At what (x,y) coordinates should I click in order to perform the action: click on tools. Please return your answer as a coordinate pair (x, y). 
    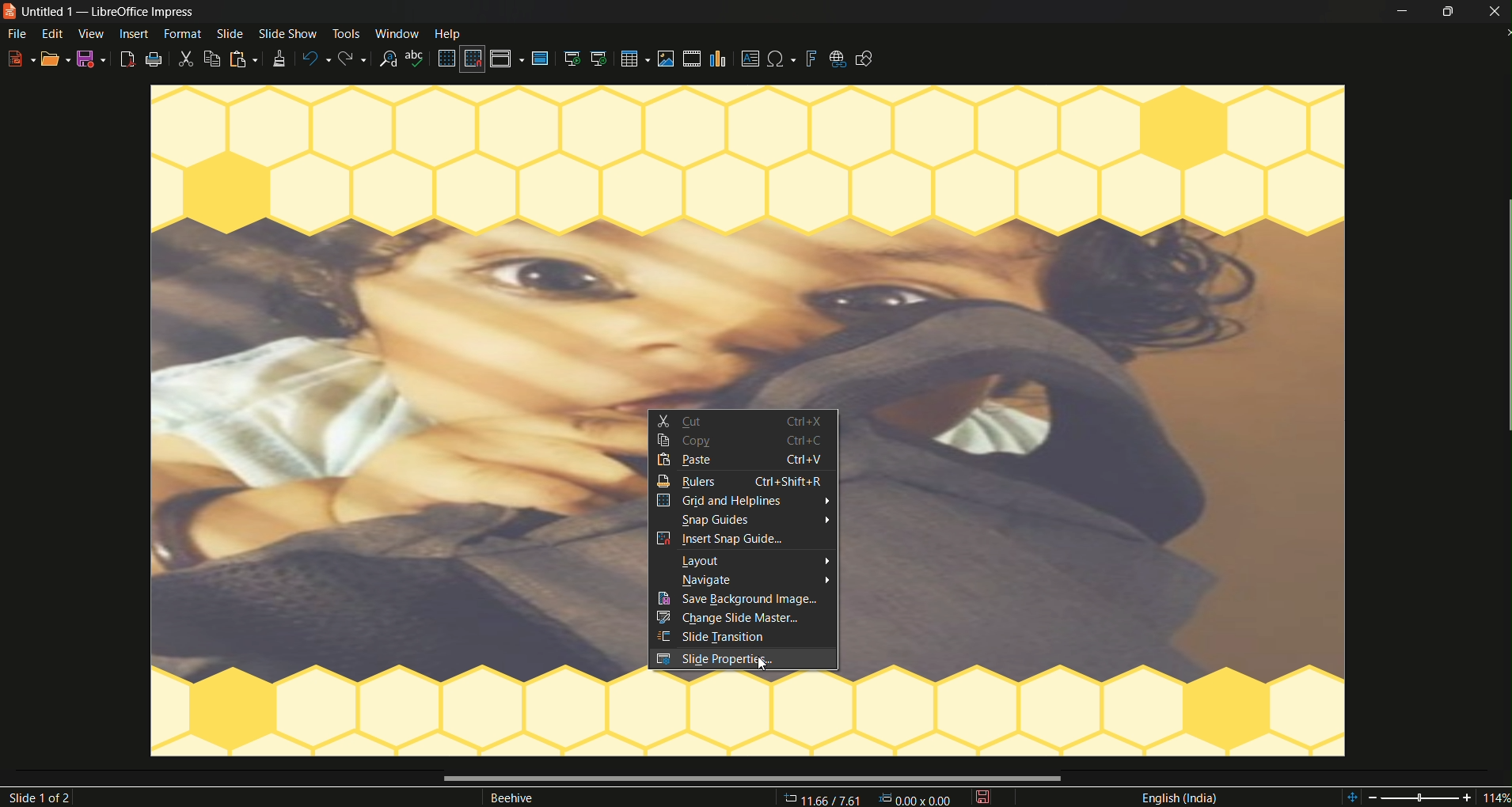
    Looking at the image, I should click on (345, 34).